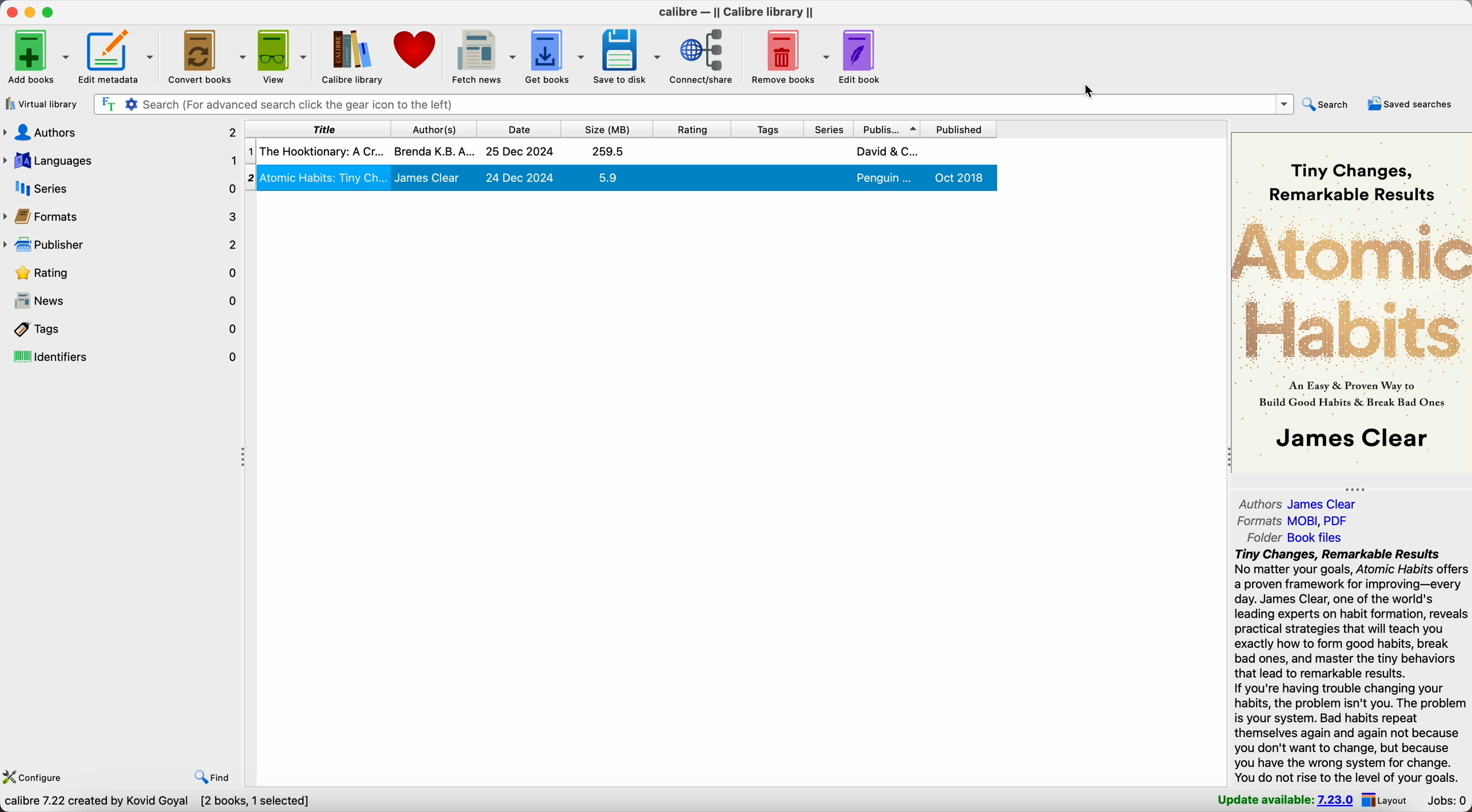  What do you see at coordinates (517, 127) in the screenshot?
I see `date` at bounding box center [517, 127].